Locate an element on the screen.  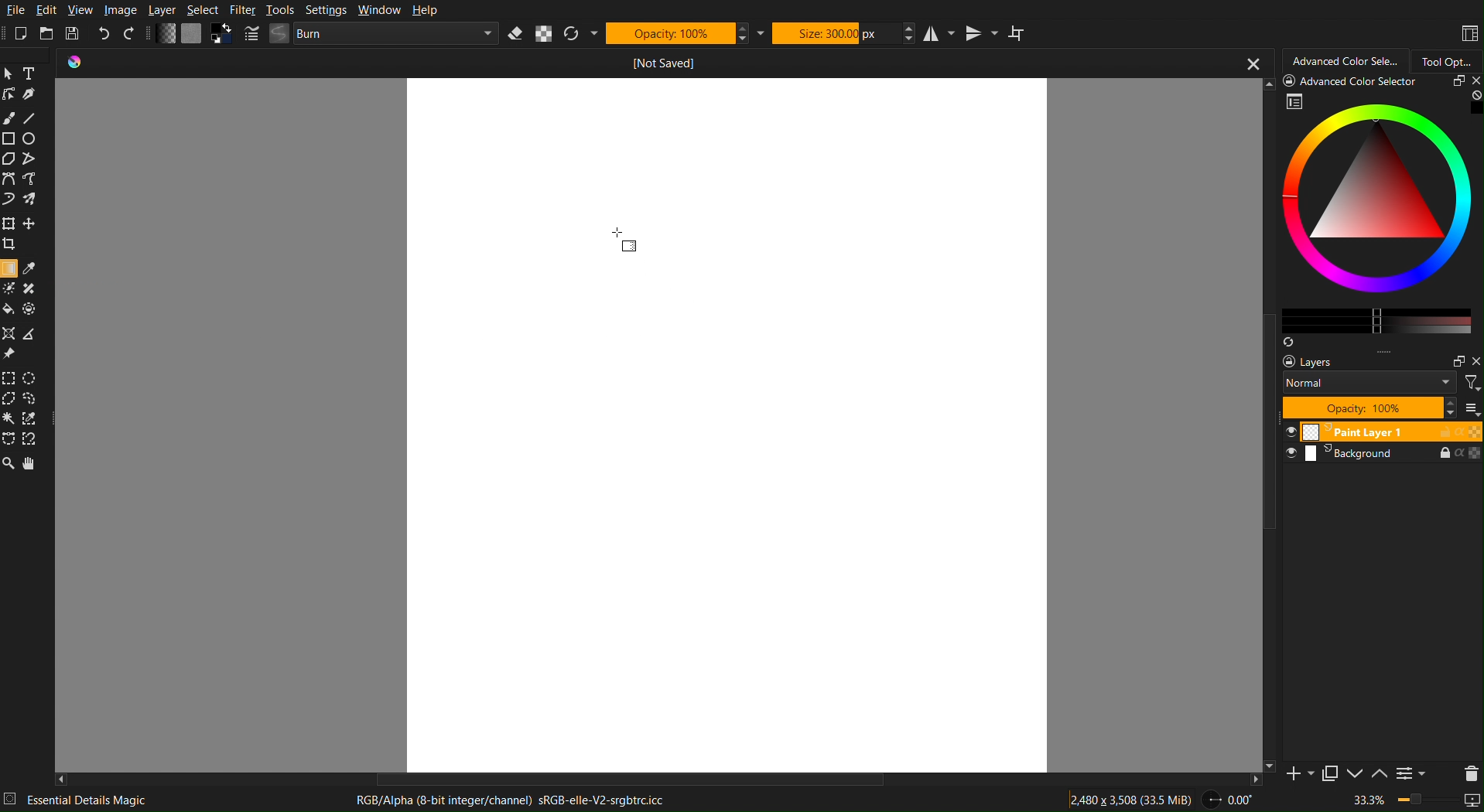
Linework is located at coordinates (10, 94).